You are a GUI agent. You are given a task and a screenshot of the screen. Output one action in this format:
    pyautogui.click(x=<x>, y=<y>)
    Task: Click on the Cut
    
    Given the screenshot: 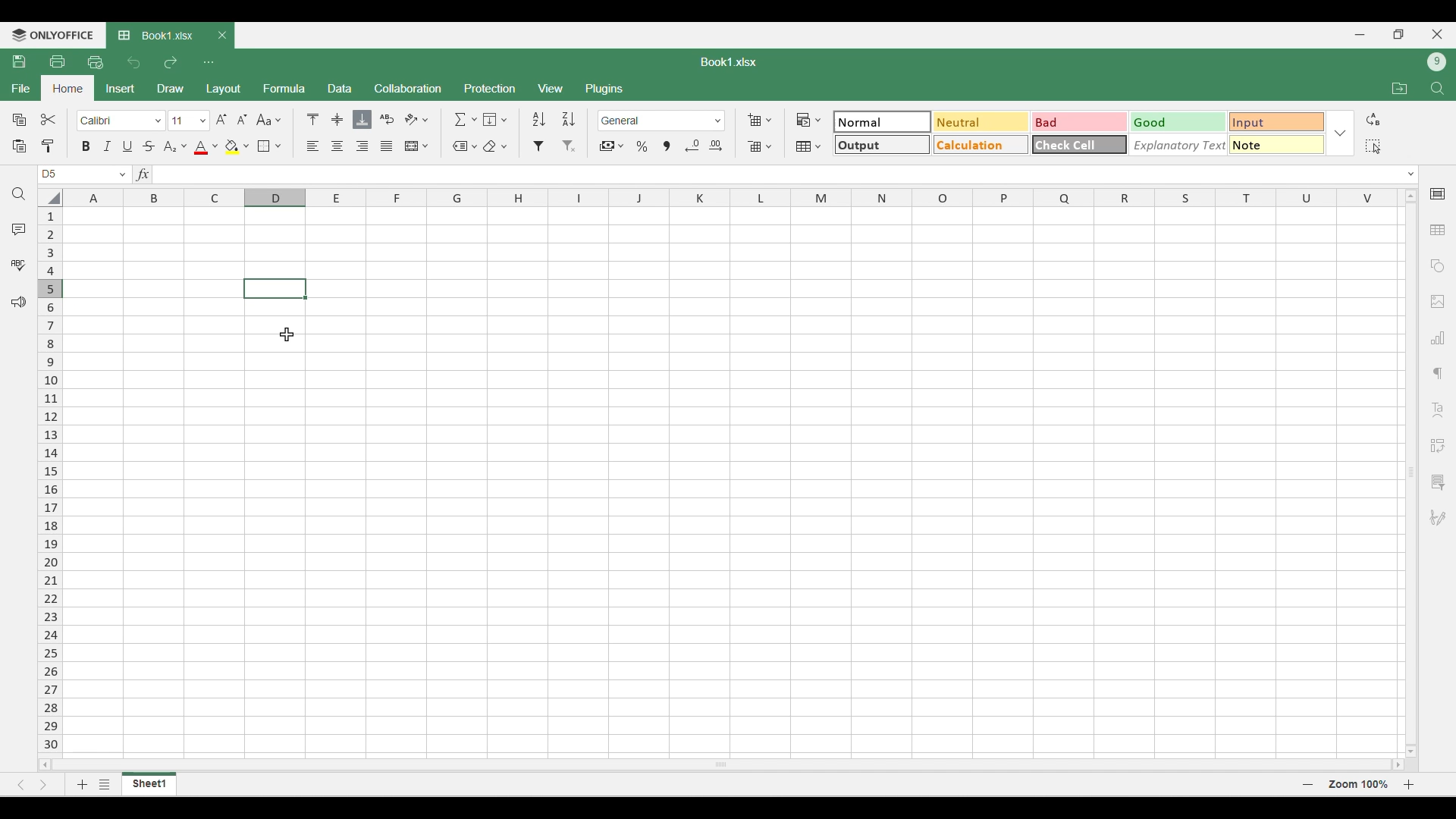 What is the action you would take?
    pyautogui.click(x=49, y=119)
    